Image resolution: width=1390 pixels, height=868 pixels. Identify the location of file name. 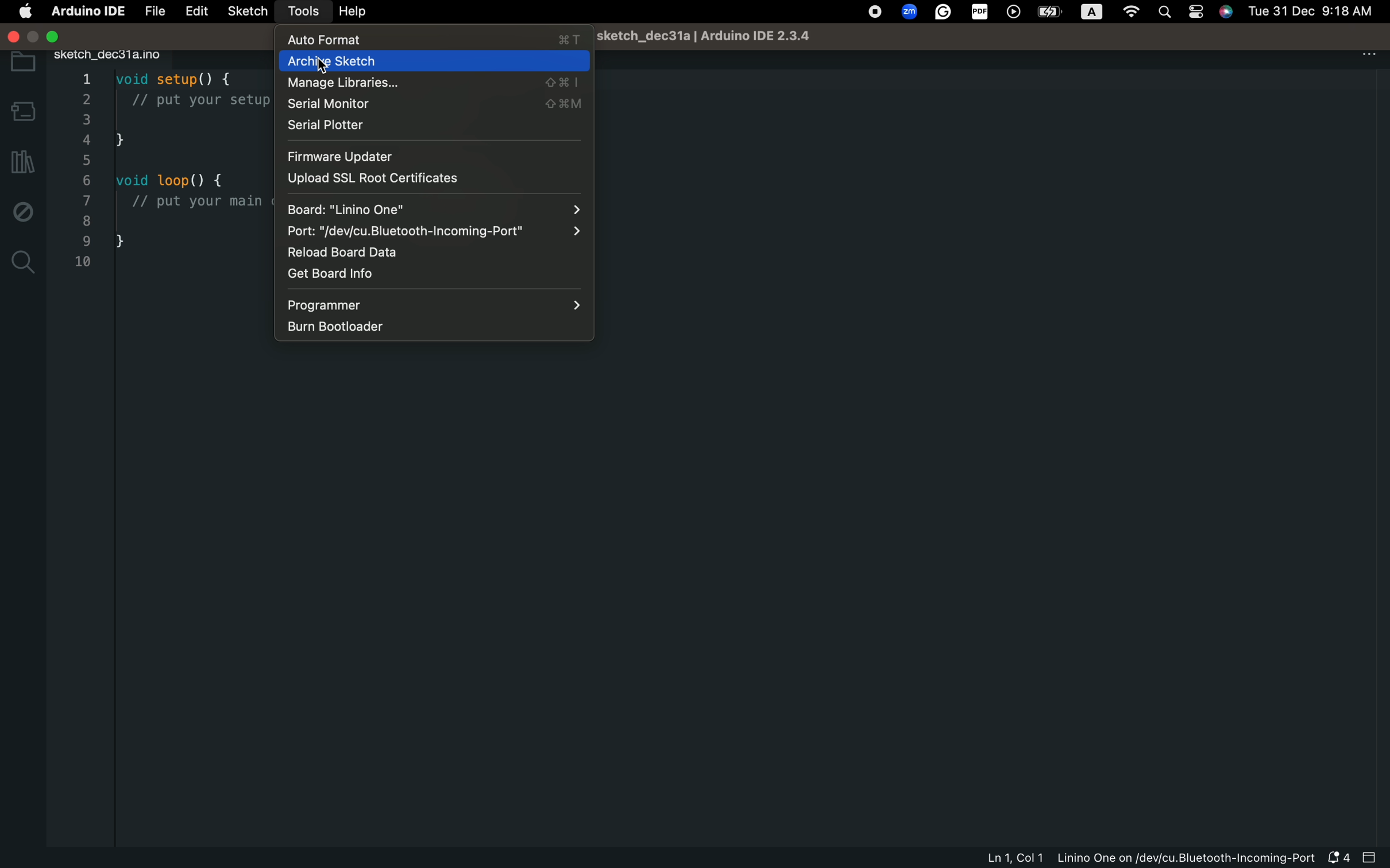
(704, 34).